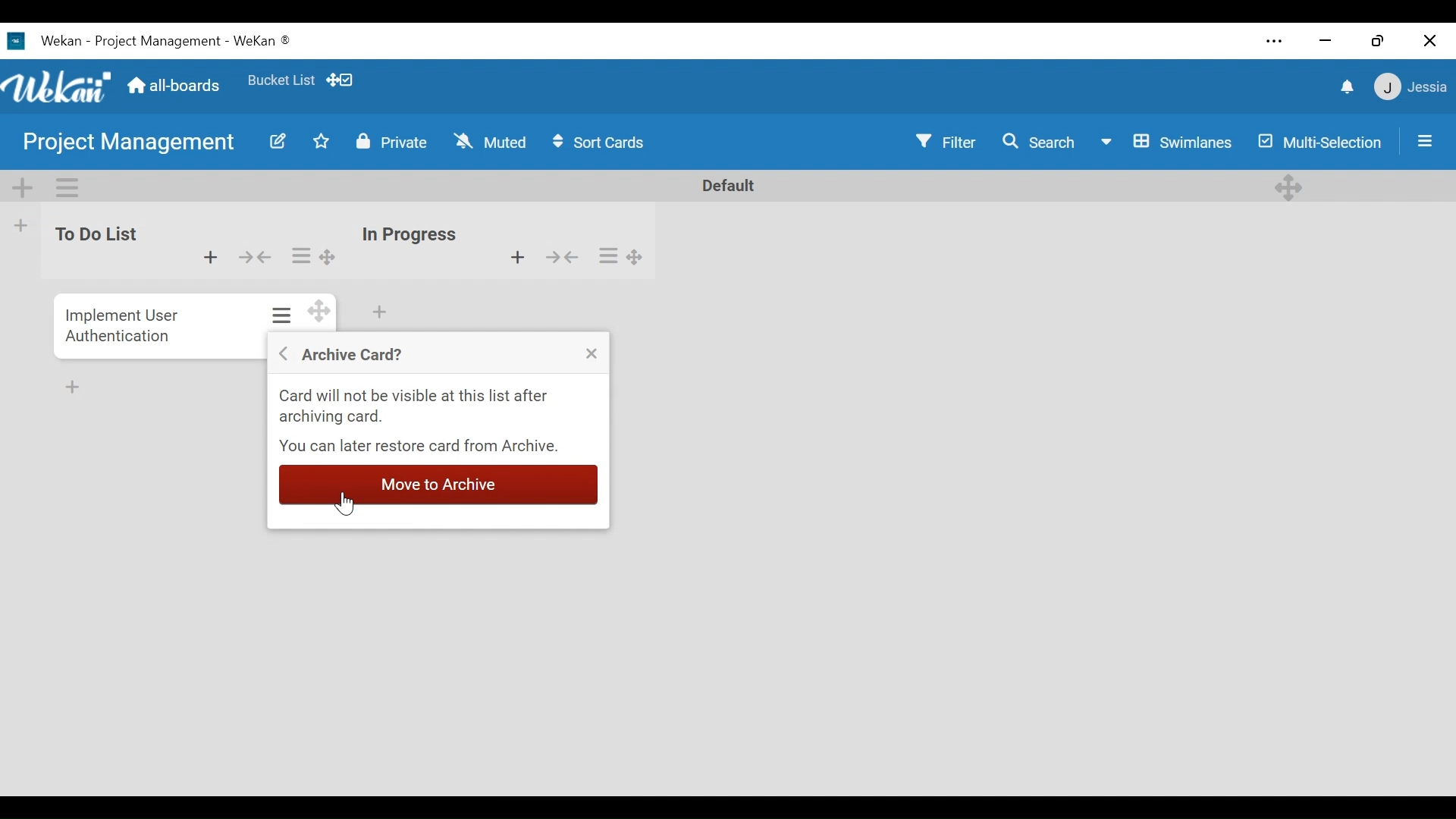 This screenshot has height=819, width=1456. What do you see at coordinates (493, 141) in the screenshot?
I see `Change Watch` at bounding box center [493, 141].